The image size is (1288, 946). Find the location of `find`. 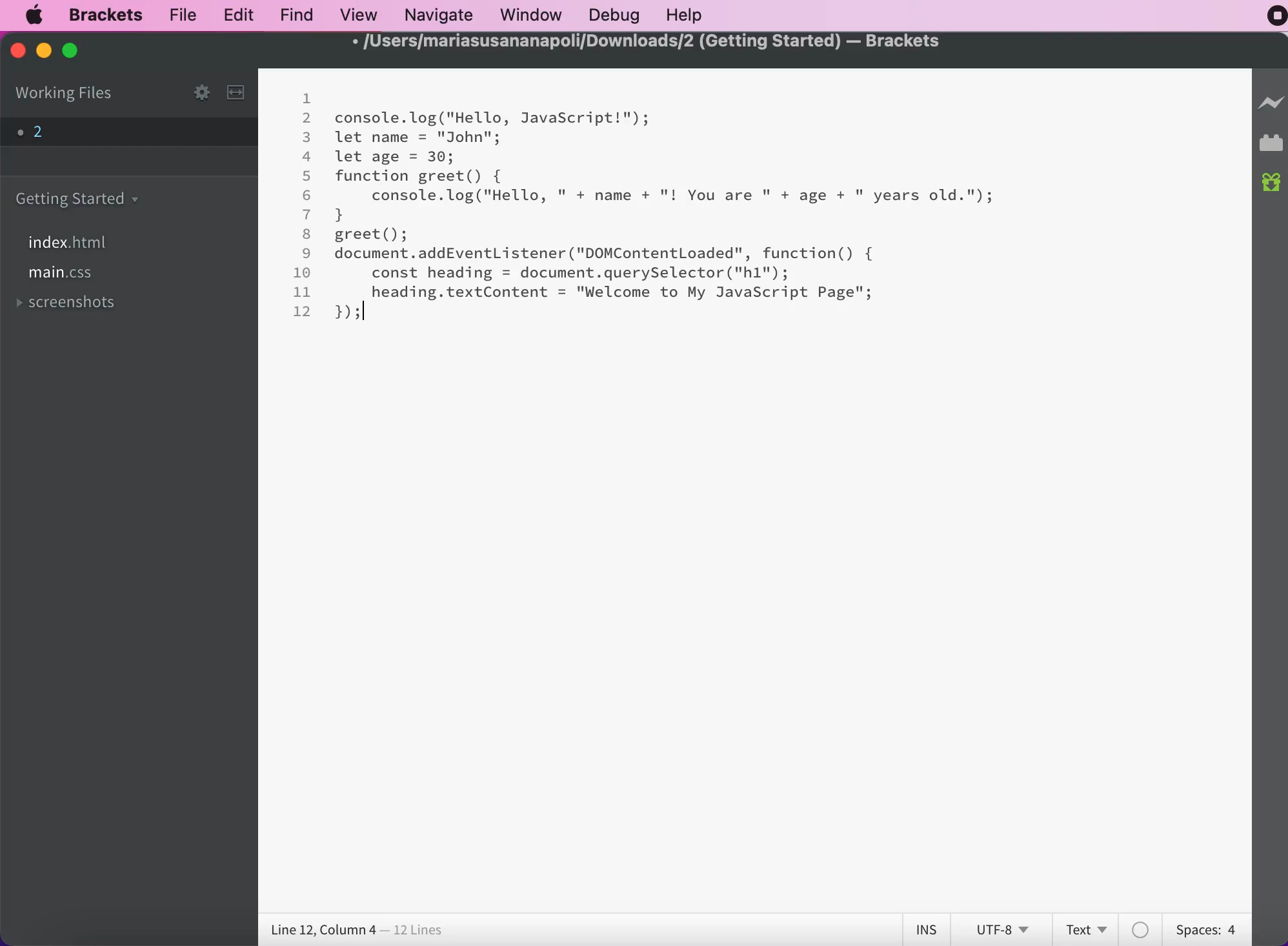

find is located at coordinates (295, 16).